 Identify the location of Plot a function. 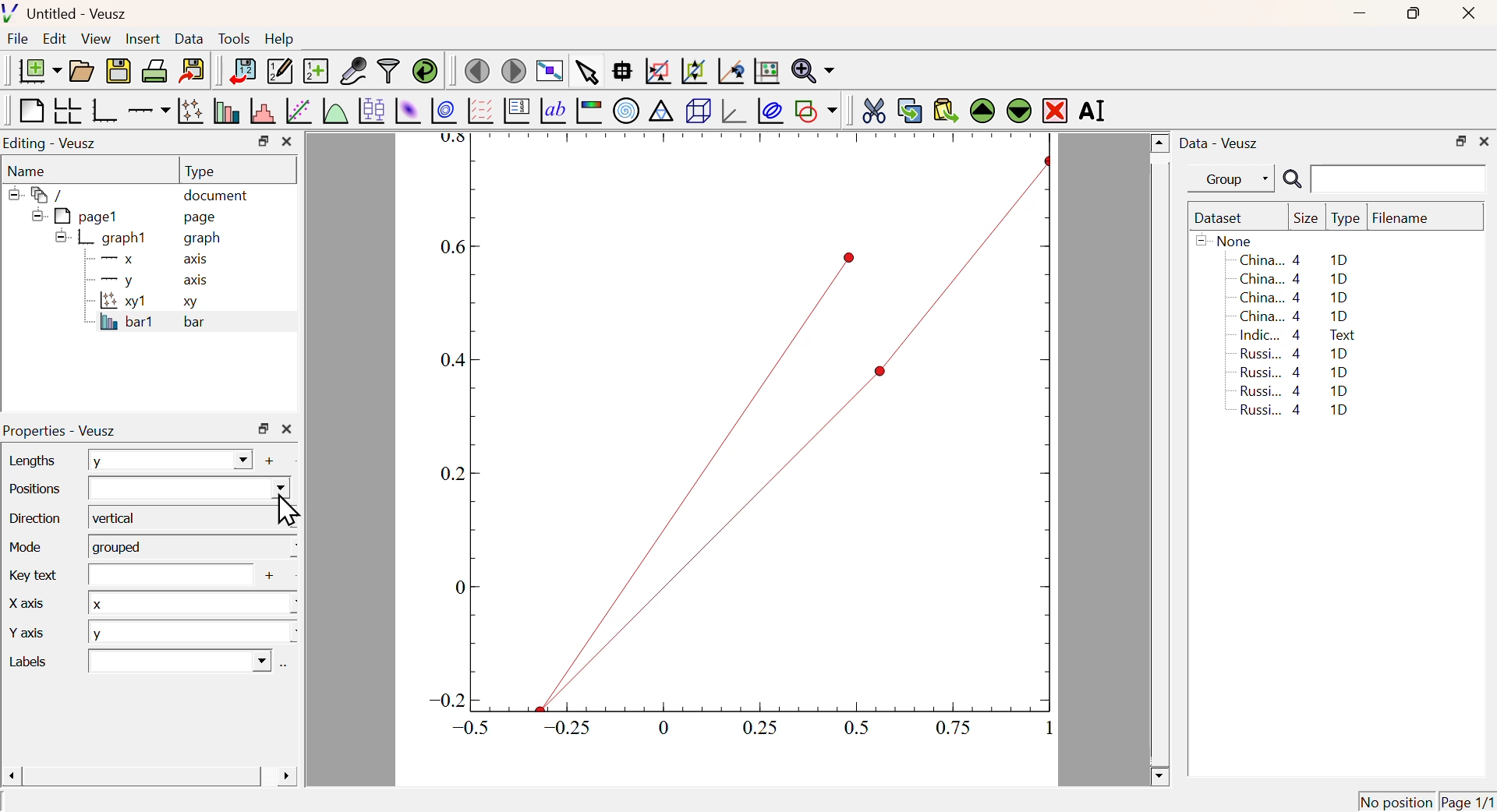
(333, 111).